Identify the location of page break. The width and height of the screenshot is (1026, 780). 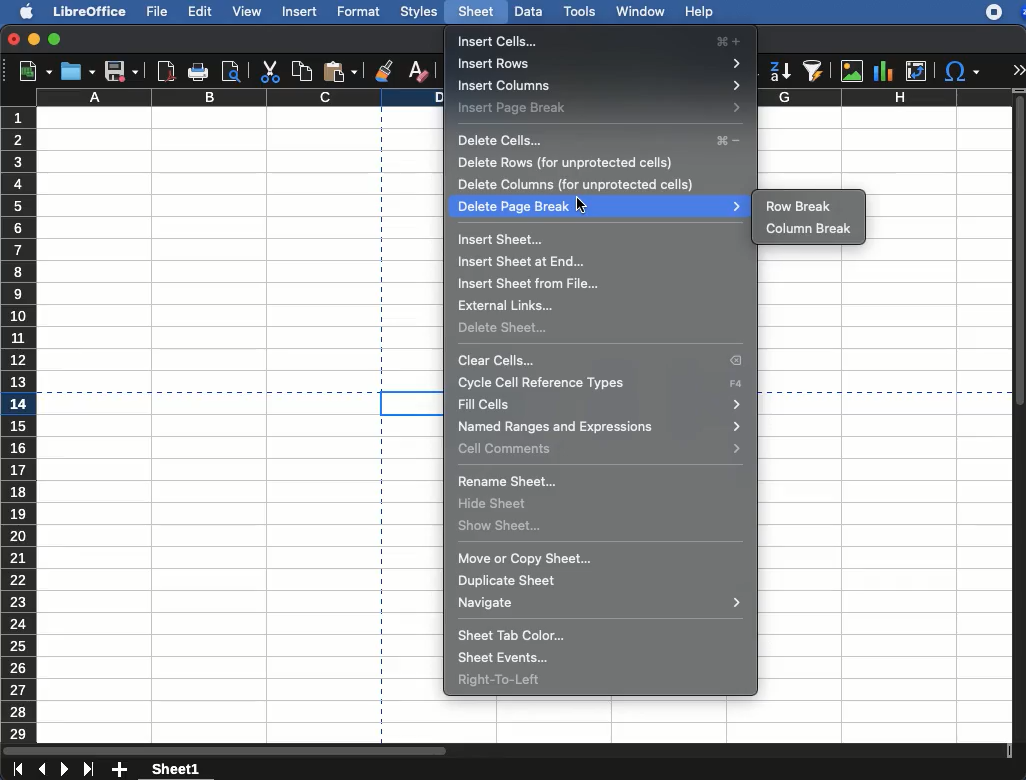
(196, 391).